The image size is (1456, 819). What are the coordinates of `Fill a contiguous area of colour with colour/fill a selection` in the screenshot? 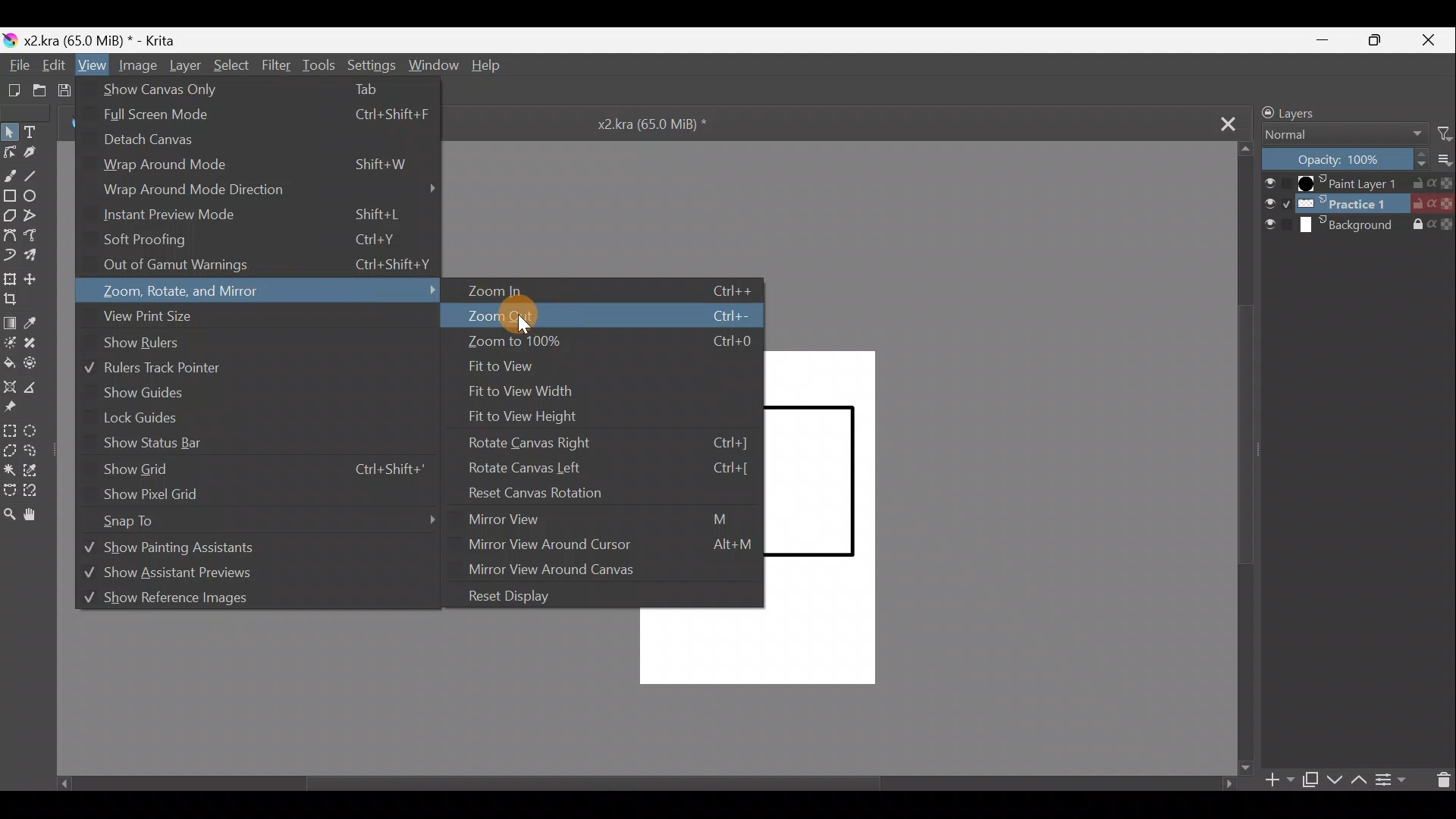 It's located at (9, 362).